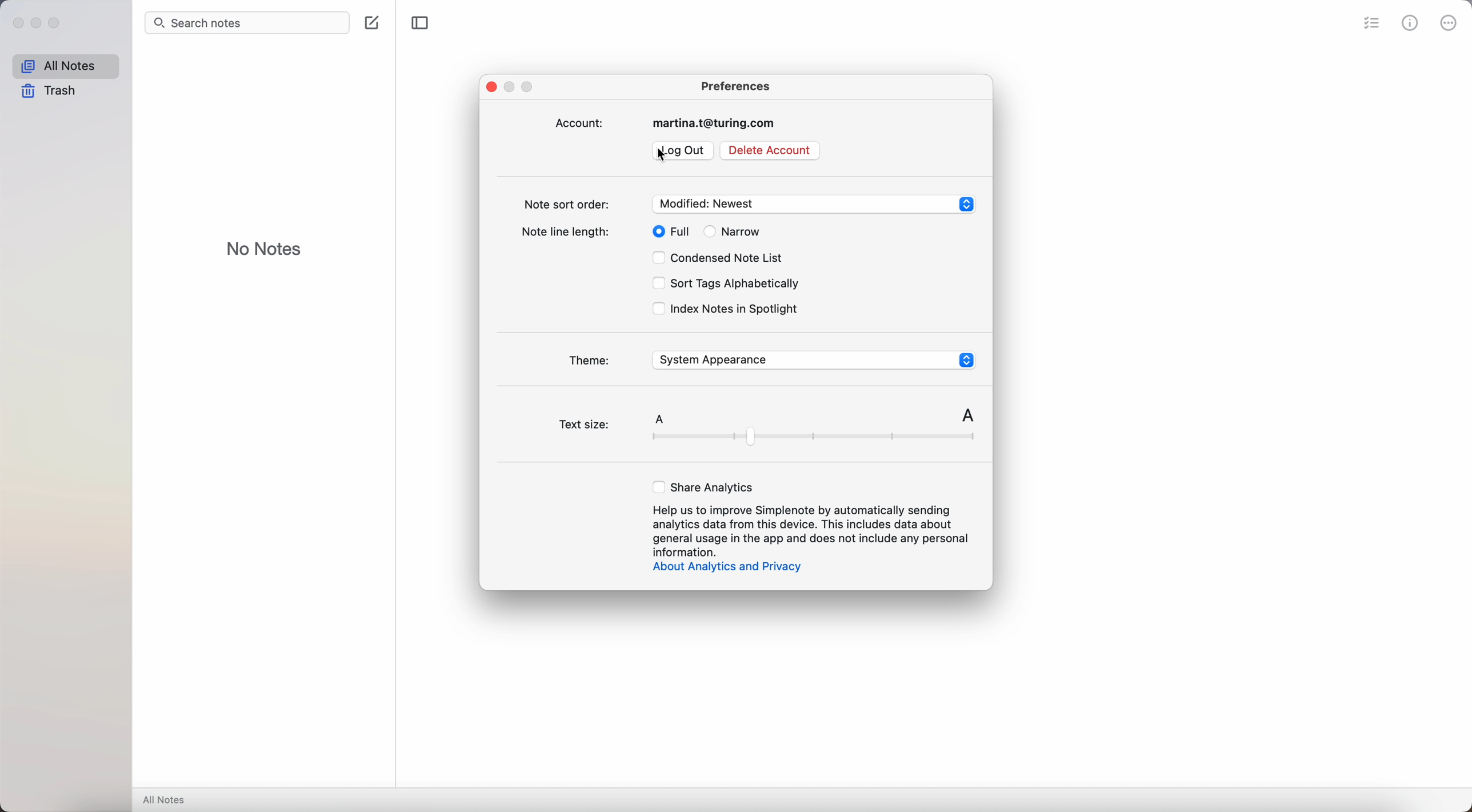  What do you see at coordinates (419, 23) in the screenshot?
I see `toggle sidebar` at bounding box center [419, 23].